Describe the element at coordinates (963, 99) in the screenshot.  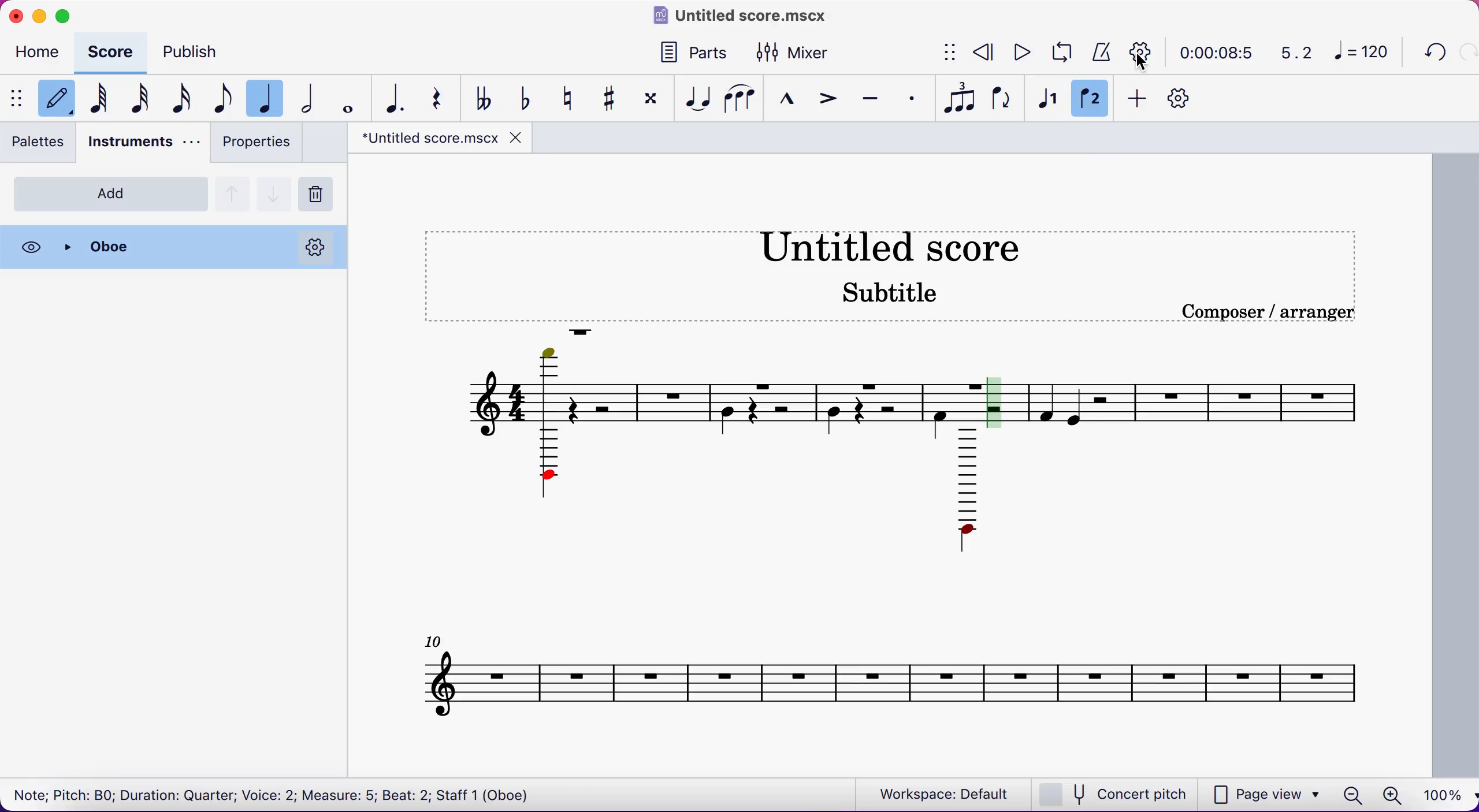
I see `tuples` at that location.